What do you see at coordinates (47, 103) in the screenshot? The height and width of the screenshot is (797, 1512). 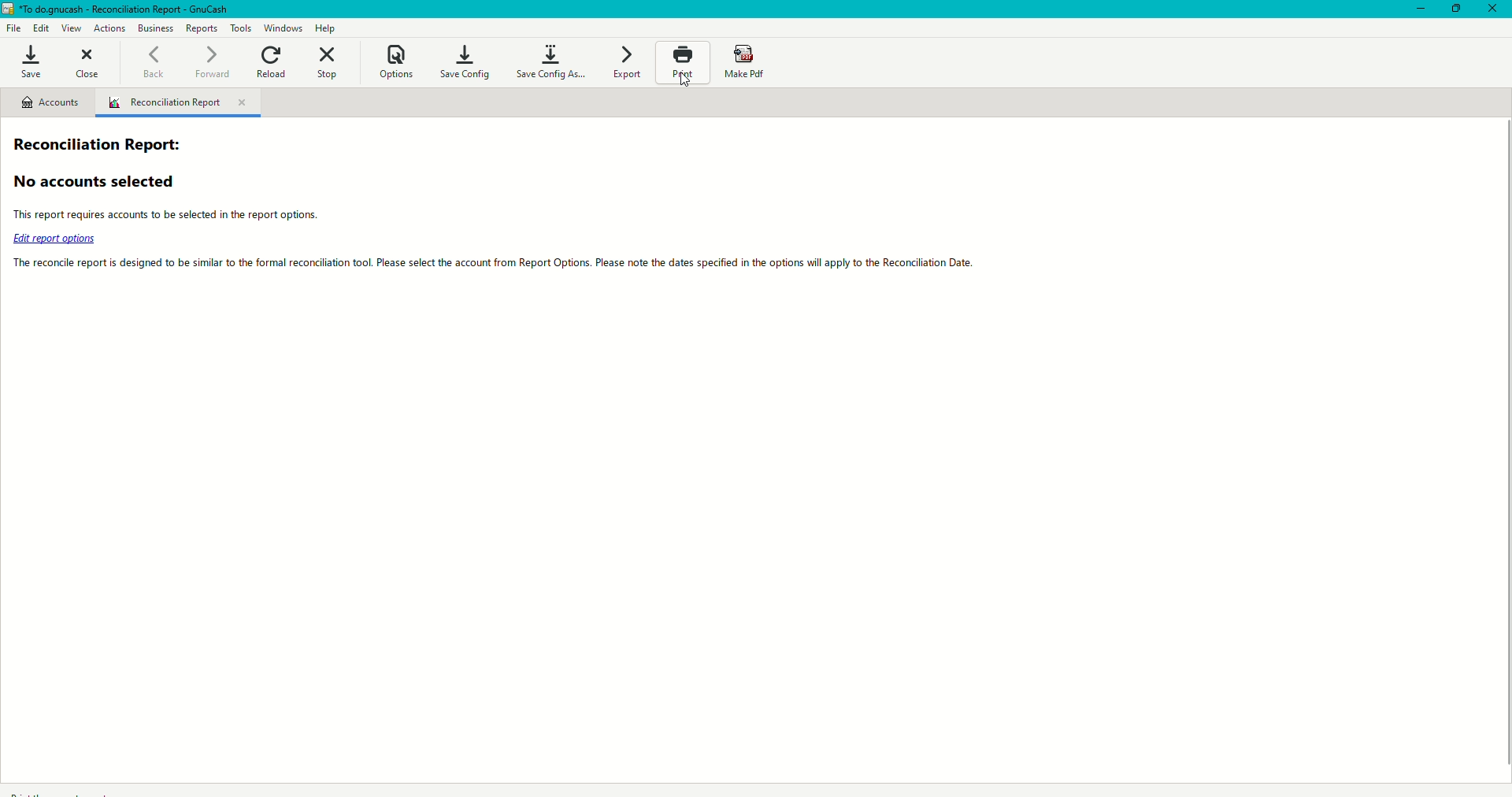 I see `Accounts` at bounding box center [47, 103].